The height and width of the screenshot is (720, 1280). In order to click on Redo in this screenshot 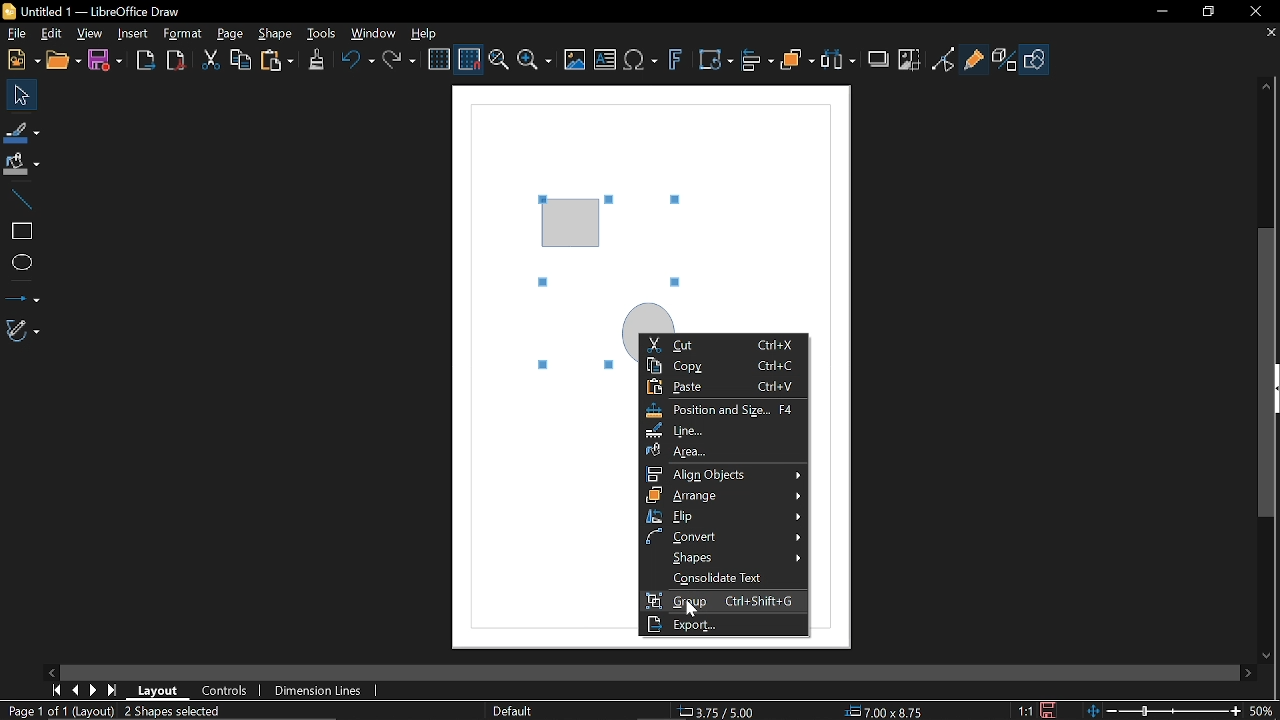, I will do `click(401, 62)`.